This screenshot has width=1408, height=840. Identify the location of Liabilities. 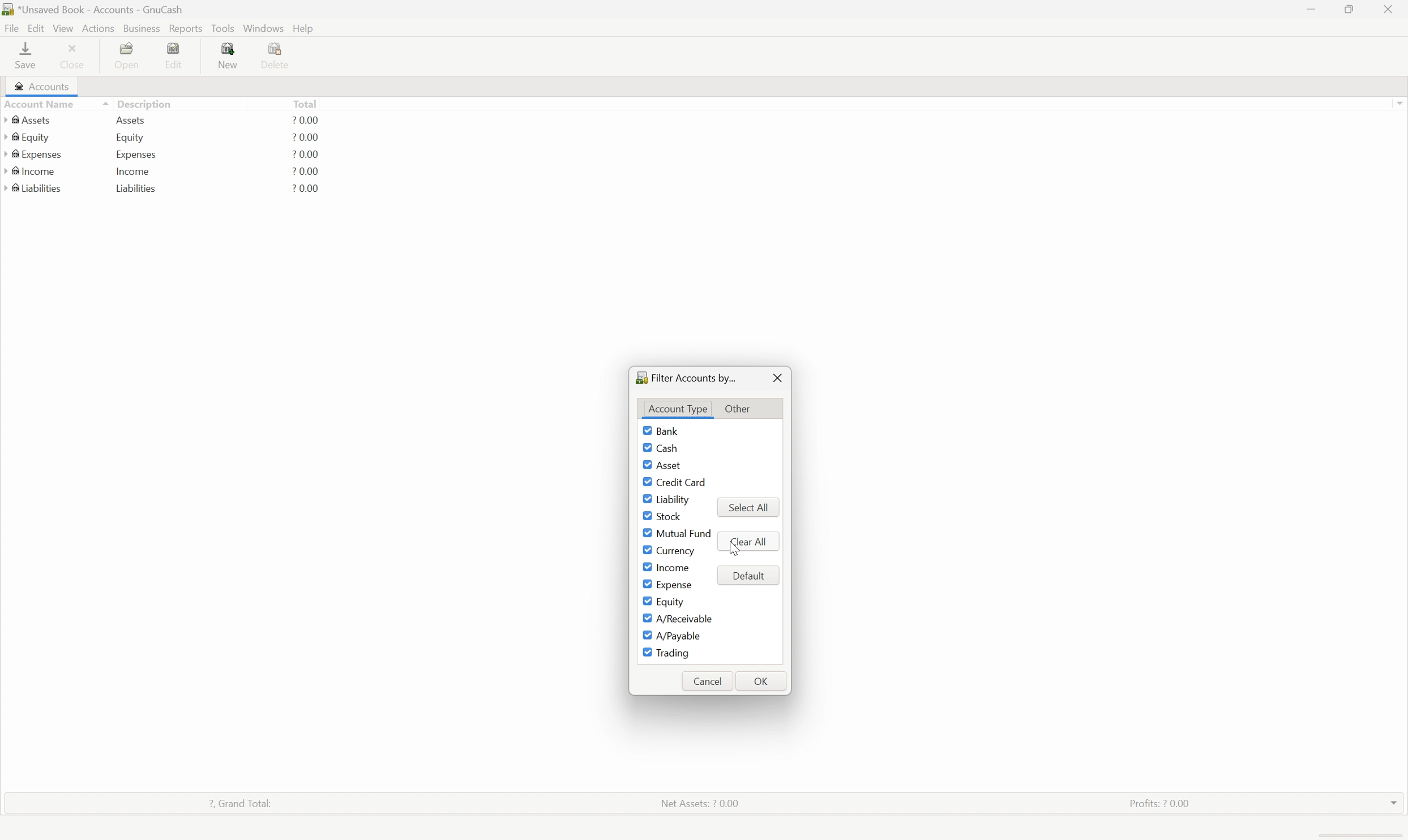
(35, 187).